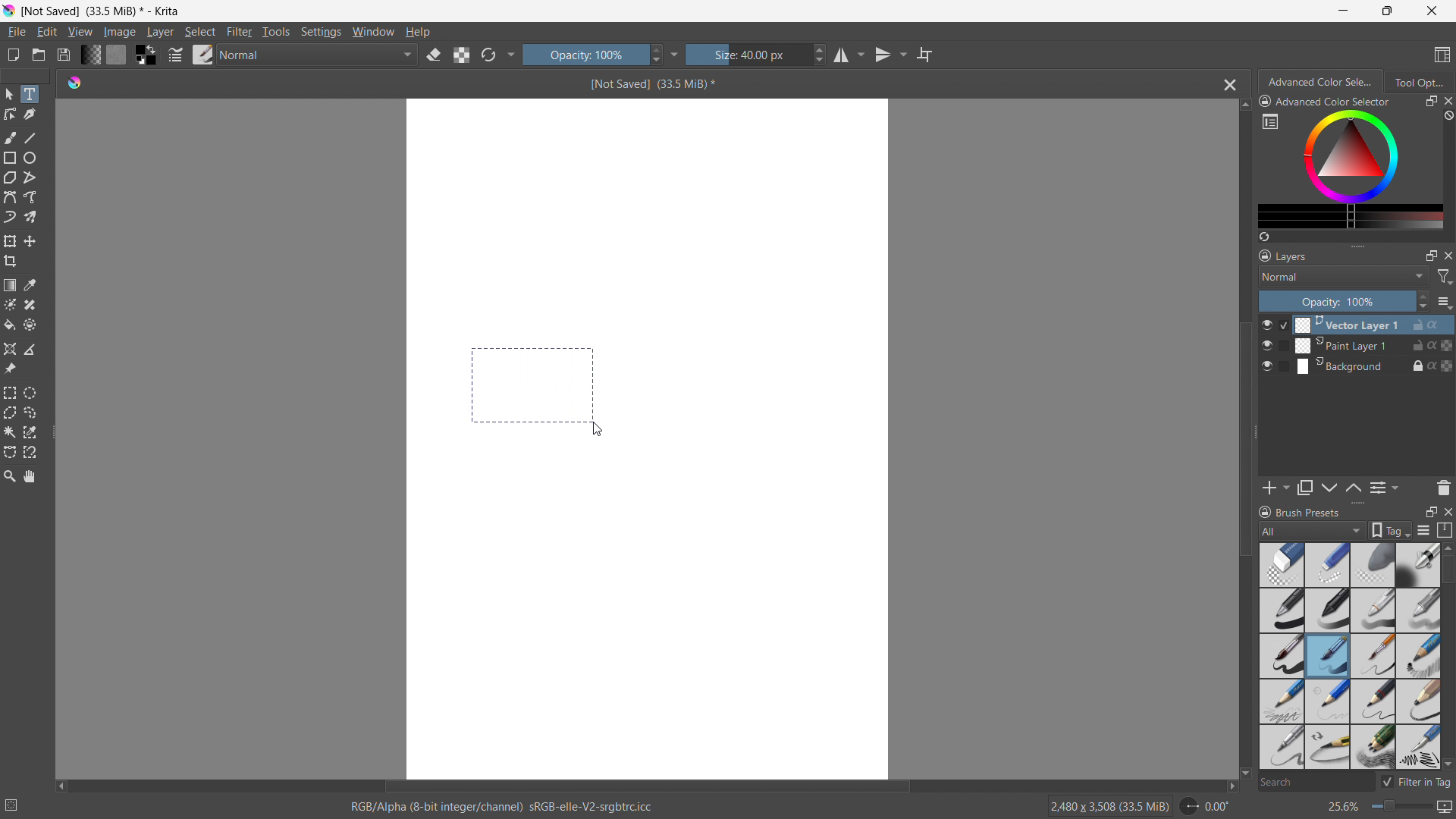 This screenshot has height=819, width=1456. I want to click on light nib pencil, so click(1328, 701).